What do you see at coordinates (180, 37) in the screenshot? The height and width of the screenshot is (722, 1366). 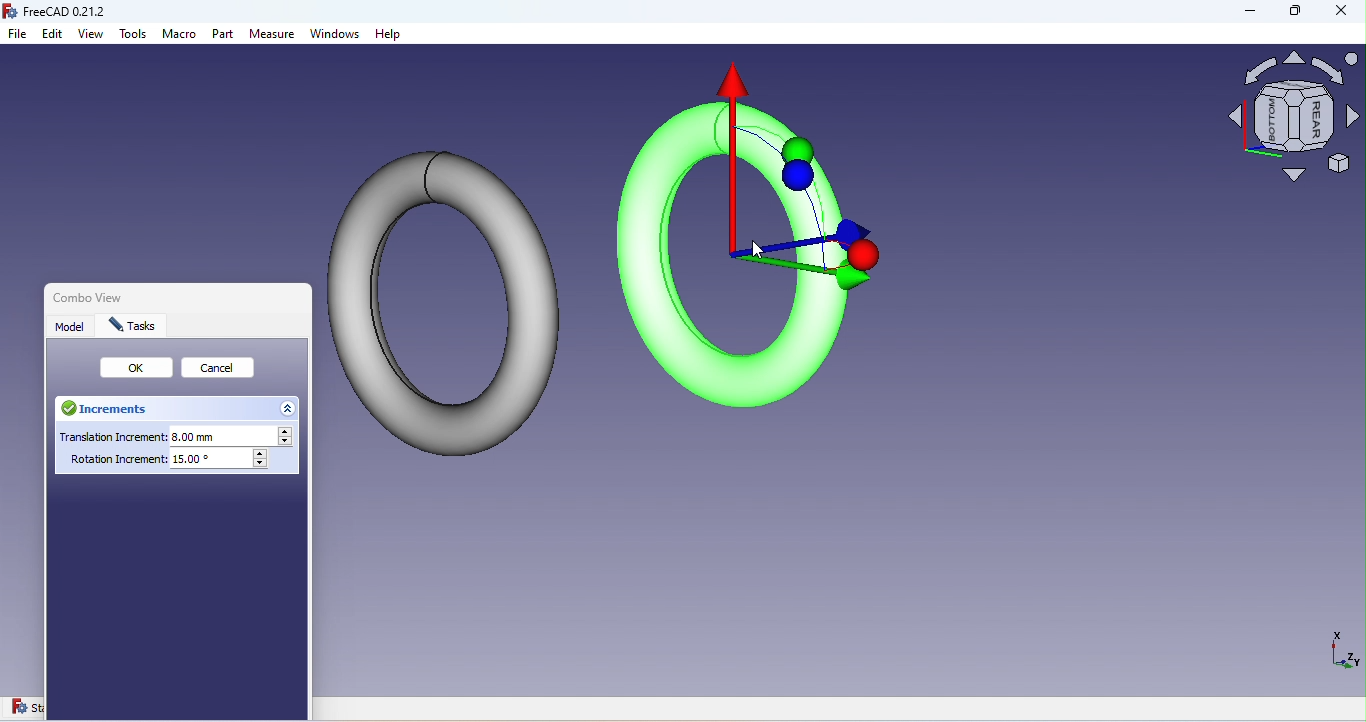 I see `Macro` at bounding box center [180, 37].